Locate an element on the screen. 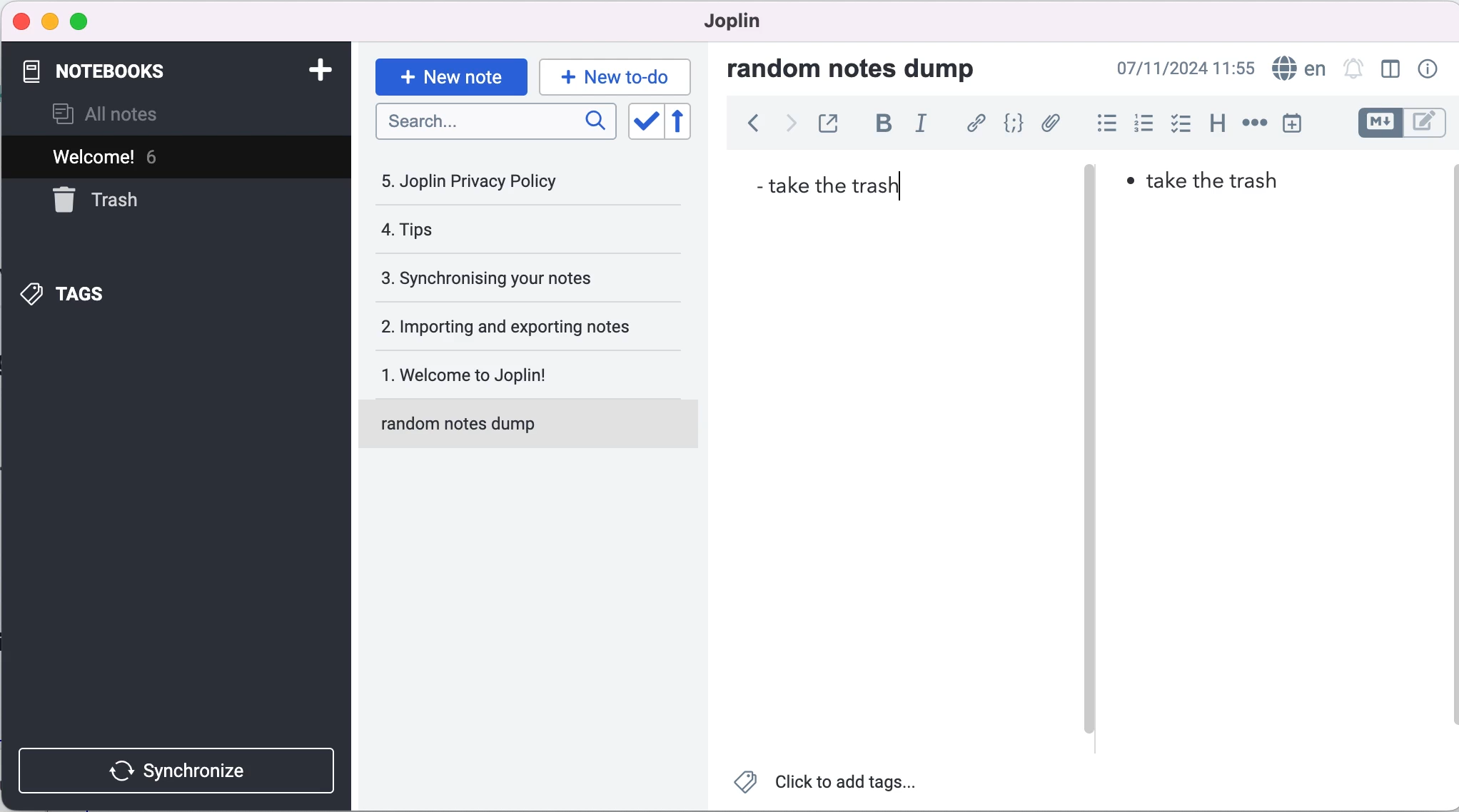 This screenshot has width=1459, height=812. close is located at coordinates (20, 21).